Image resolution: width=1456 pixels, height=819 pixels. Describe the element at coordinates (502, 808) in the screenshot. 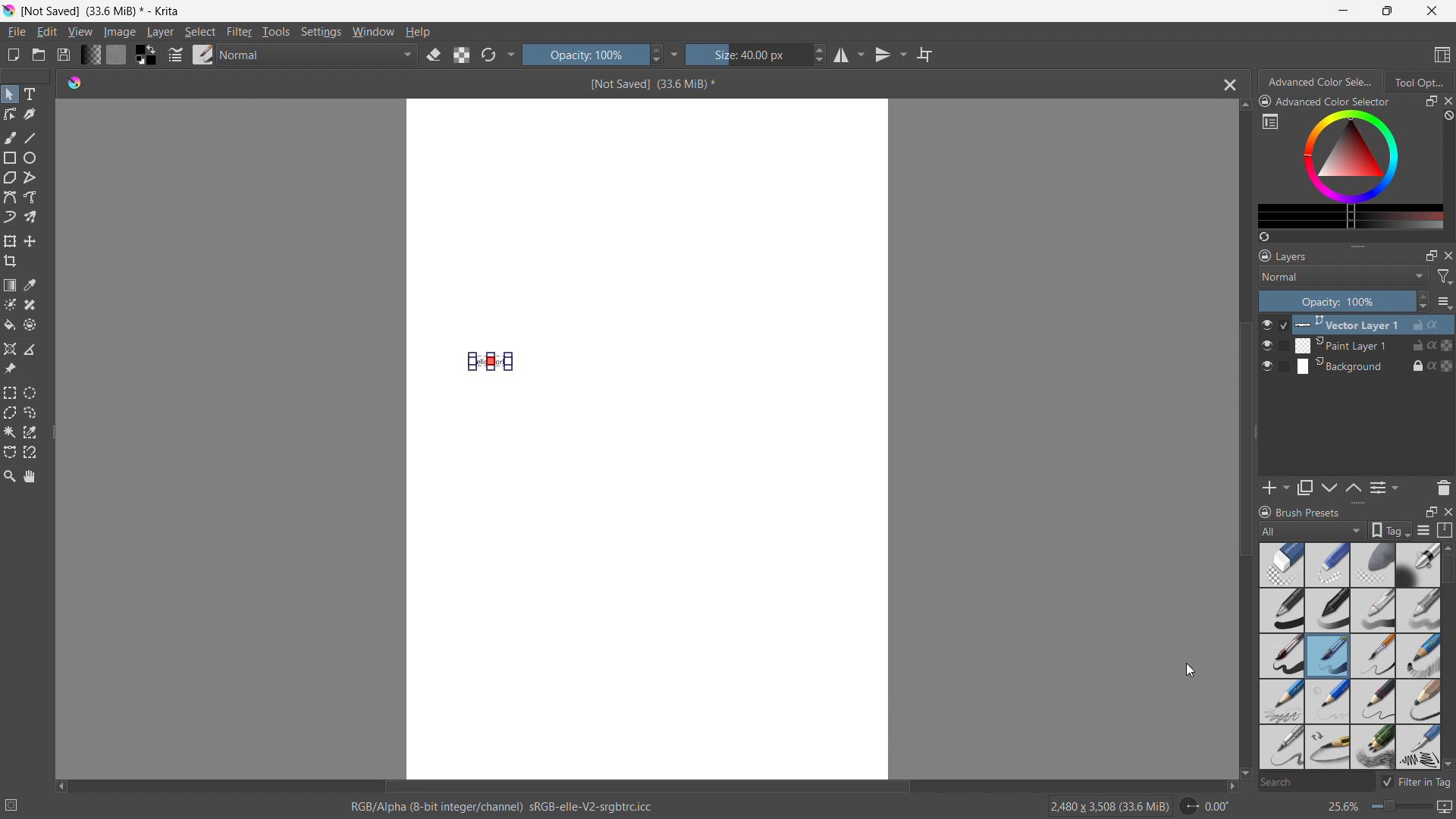

I see `RGB/ Alpha (8- bit integer/ channel)` at that location.